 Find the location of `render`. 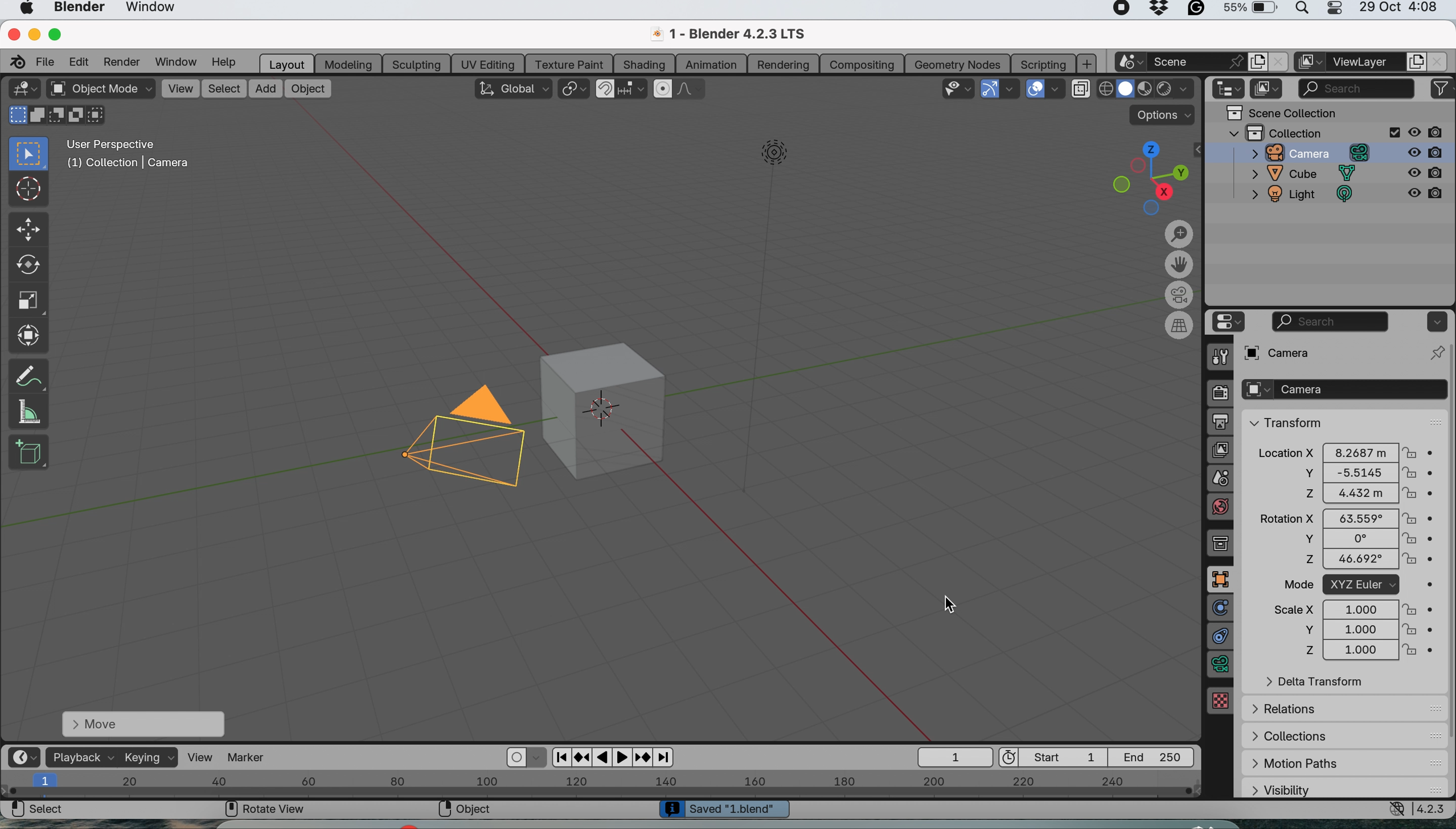

render is located at coordinates (1221, 395).